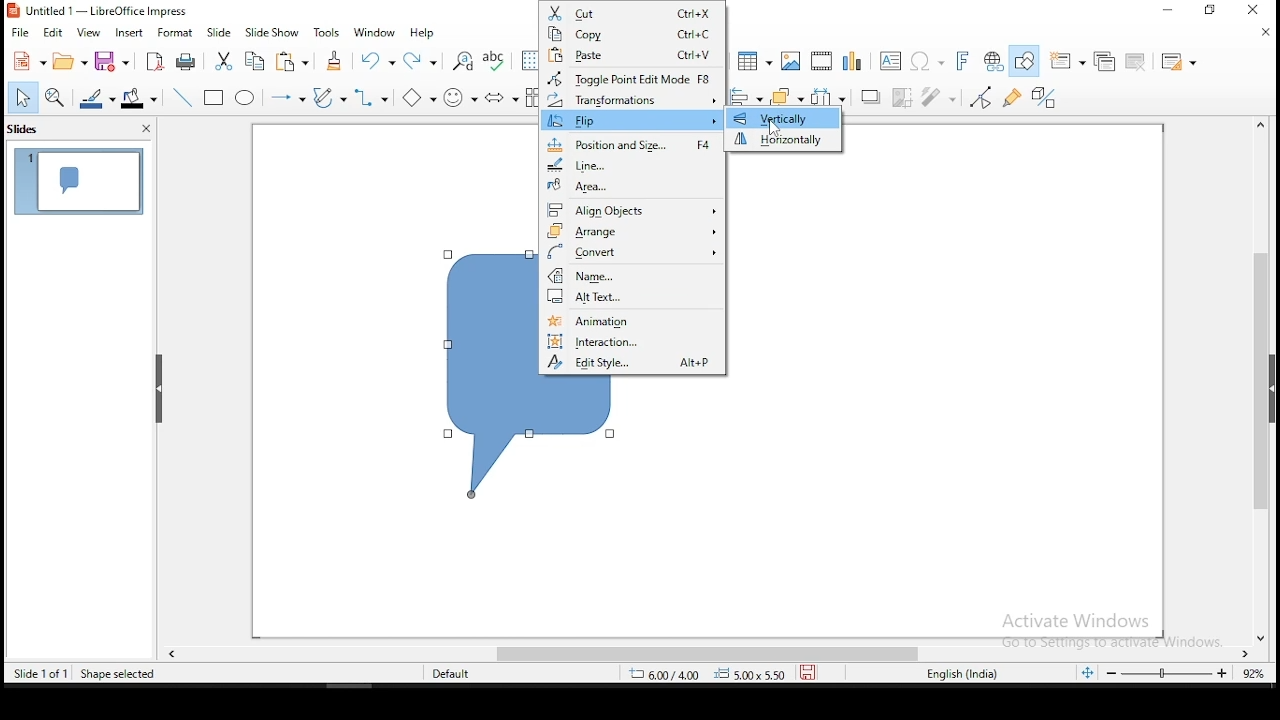 Image resolution: width=1280 pixels, height=720 pixels. What do you see at coordinates (902, 97) in the screenshot?
I see `crop image` at bounding box center [902, 97].